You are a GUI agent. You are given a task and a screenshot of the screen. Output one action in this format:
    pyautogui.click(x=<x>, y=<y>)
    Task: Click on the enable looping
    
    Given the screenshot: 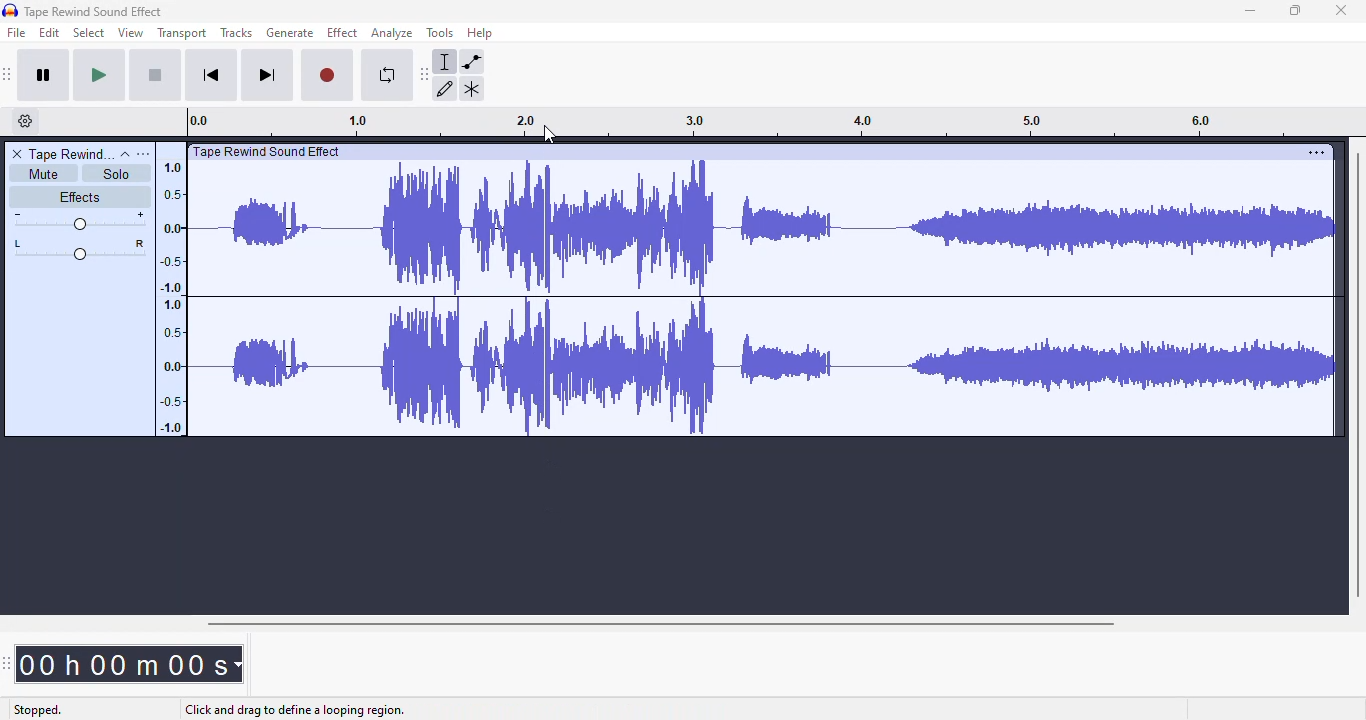 What is the action you would take?
    pyautogui.click(x=385, y=78)
    